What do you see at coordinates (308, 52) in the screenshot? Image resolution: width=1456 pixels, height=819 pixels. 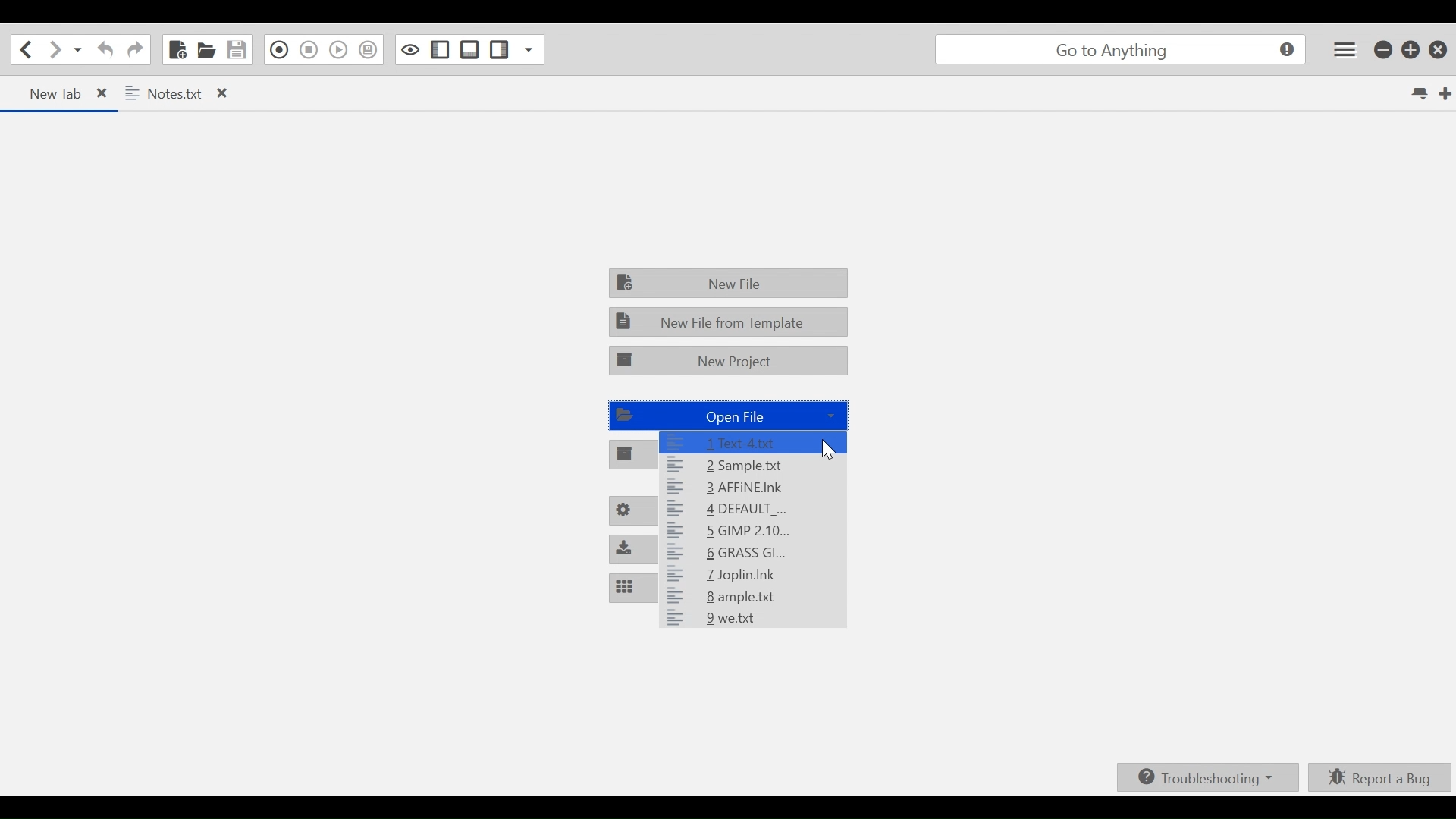 I see `Stop Recording in Macro` at bounding box center [308, 52].